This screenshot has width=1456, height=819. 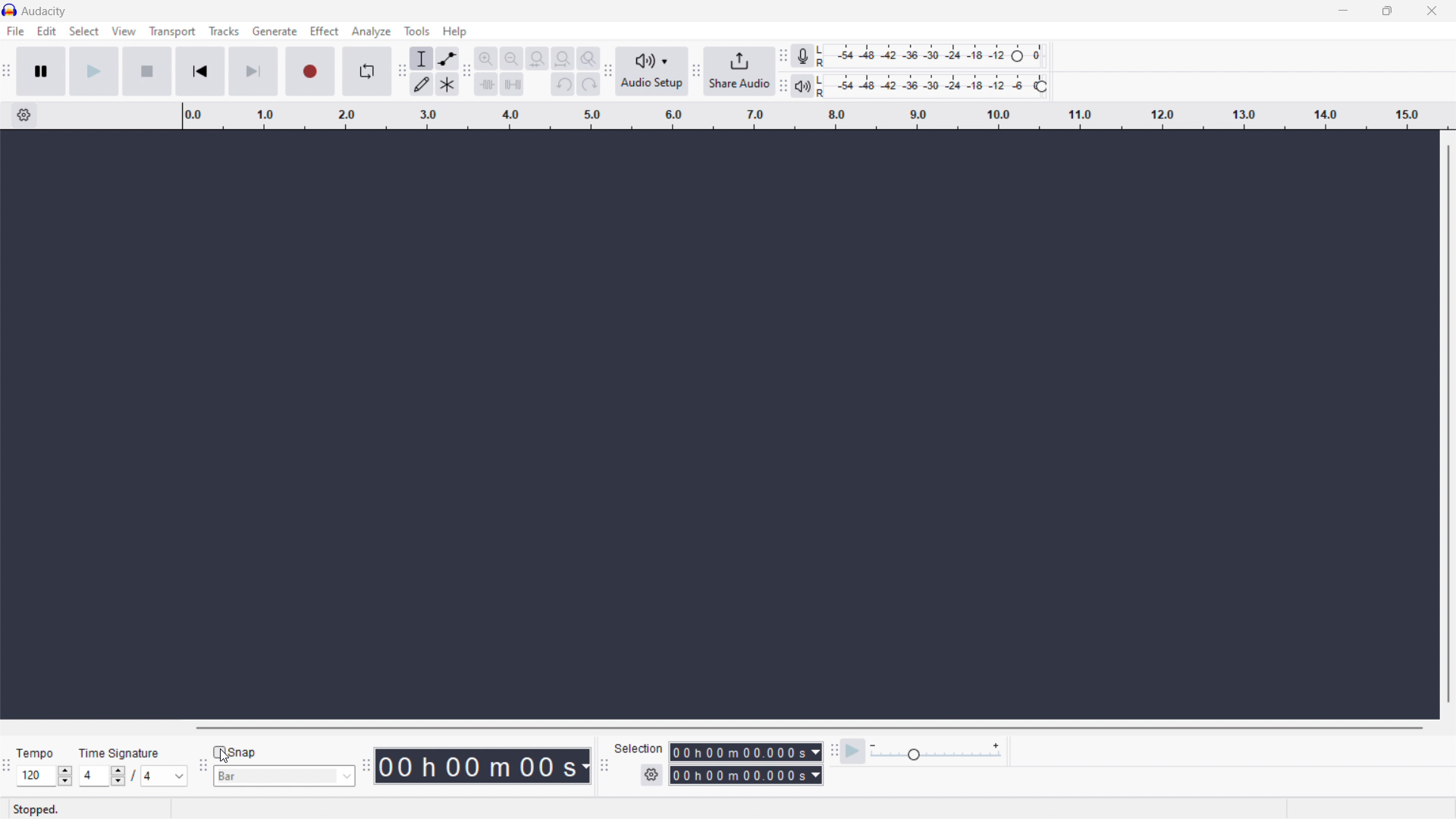 I want to click on snap, so click(x=236, y=752).